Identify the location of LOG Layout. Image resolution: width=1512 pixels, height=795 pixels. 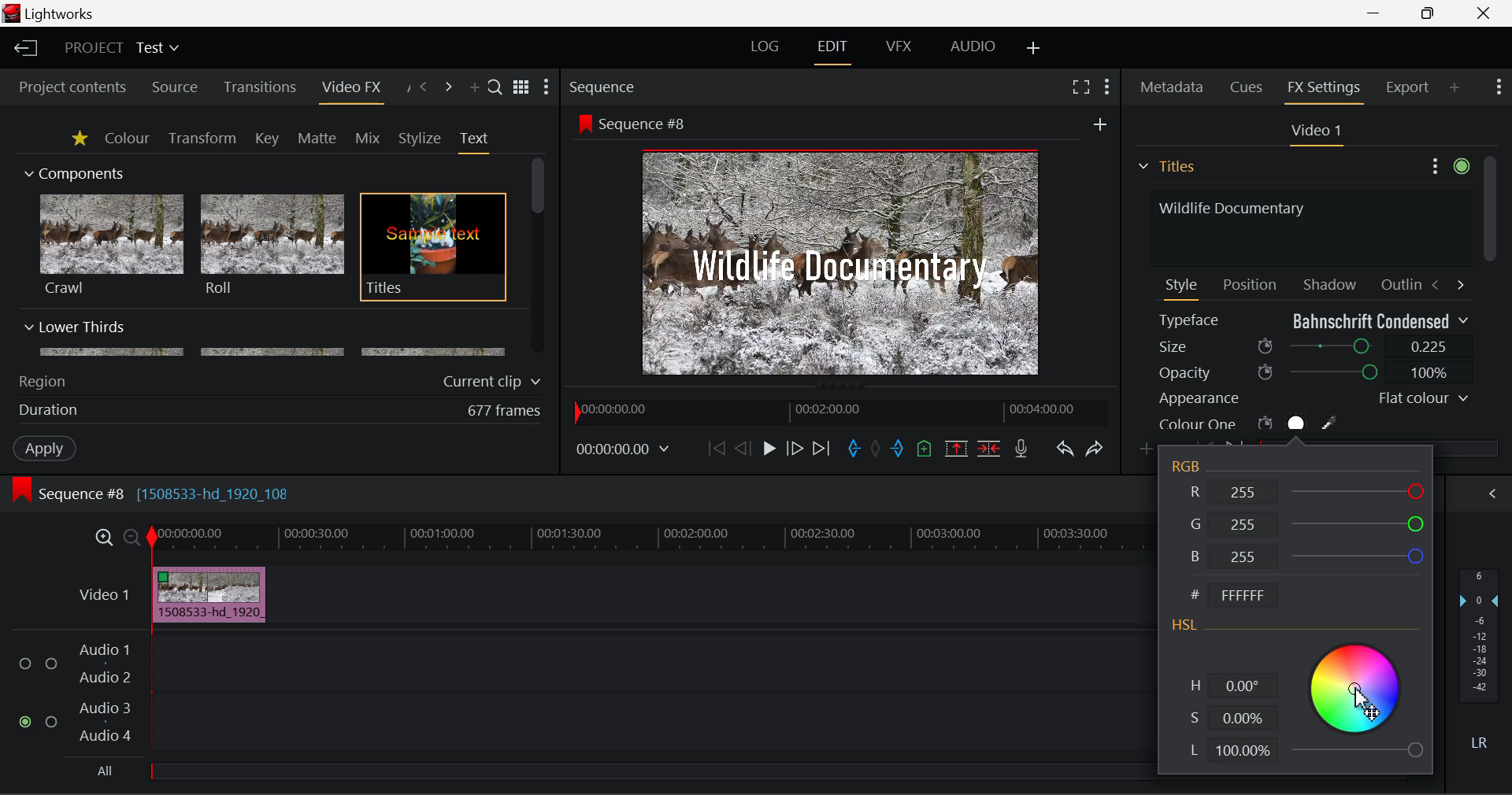
(765, 46).